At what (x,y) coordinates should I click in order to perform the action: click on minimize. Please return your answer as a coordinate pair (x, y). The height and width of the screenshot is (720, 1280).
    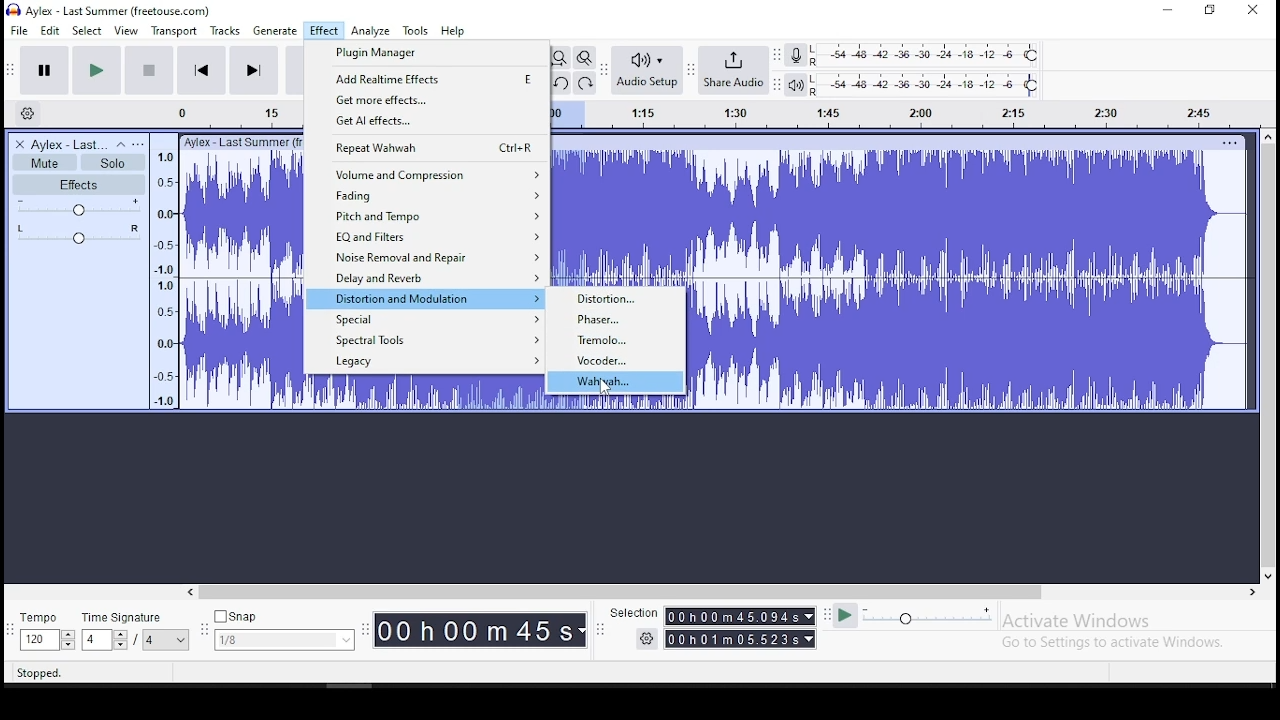
    Looking at the image, I should click on (1168, 10).